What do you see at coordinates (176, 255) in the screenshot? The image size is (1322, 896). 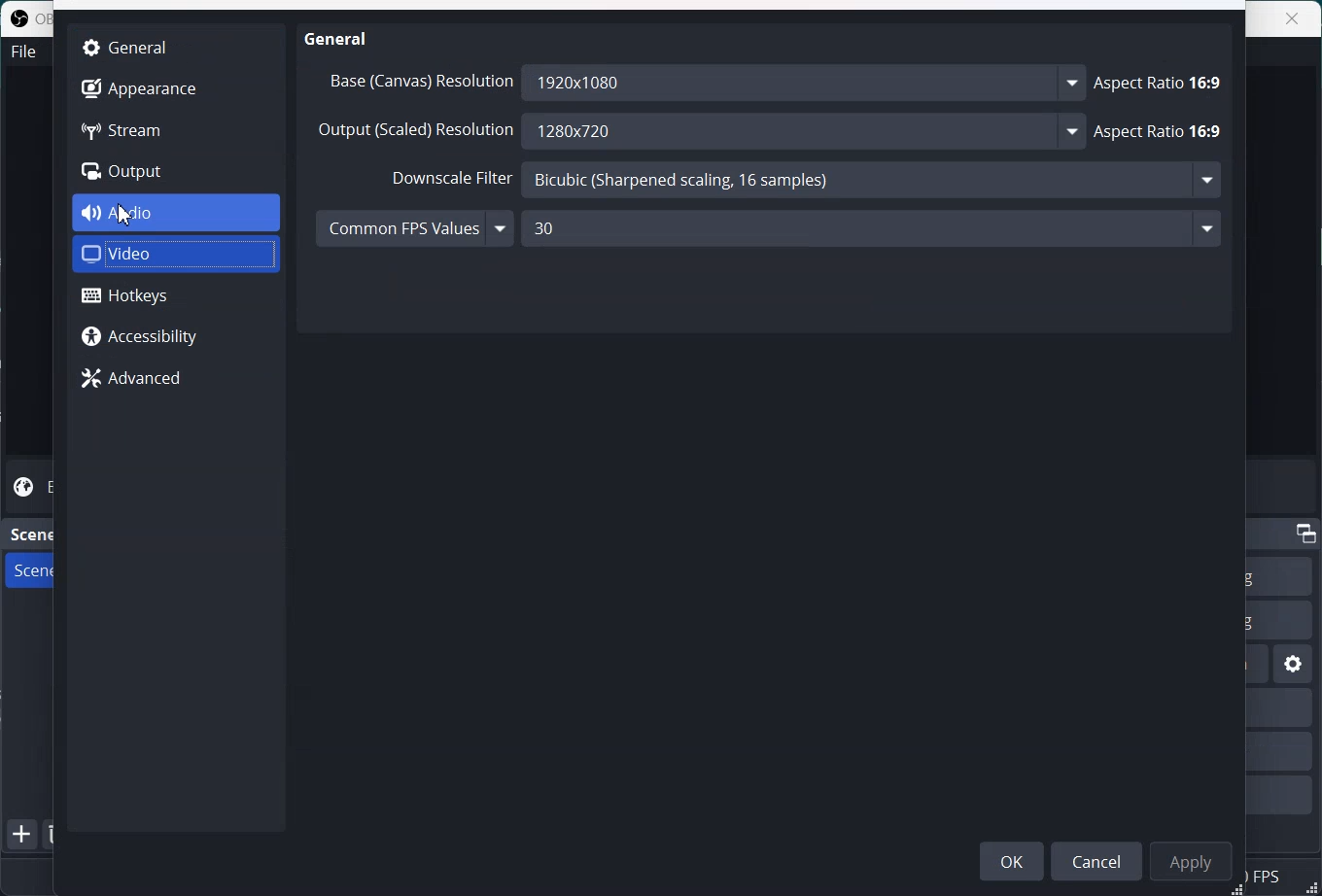 I see `Video` at bounding box center [176, 255].